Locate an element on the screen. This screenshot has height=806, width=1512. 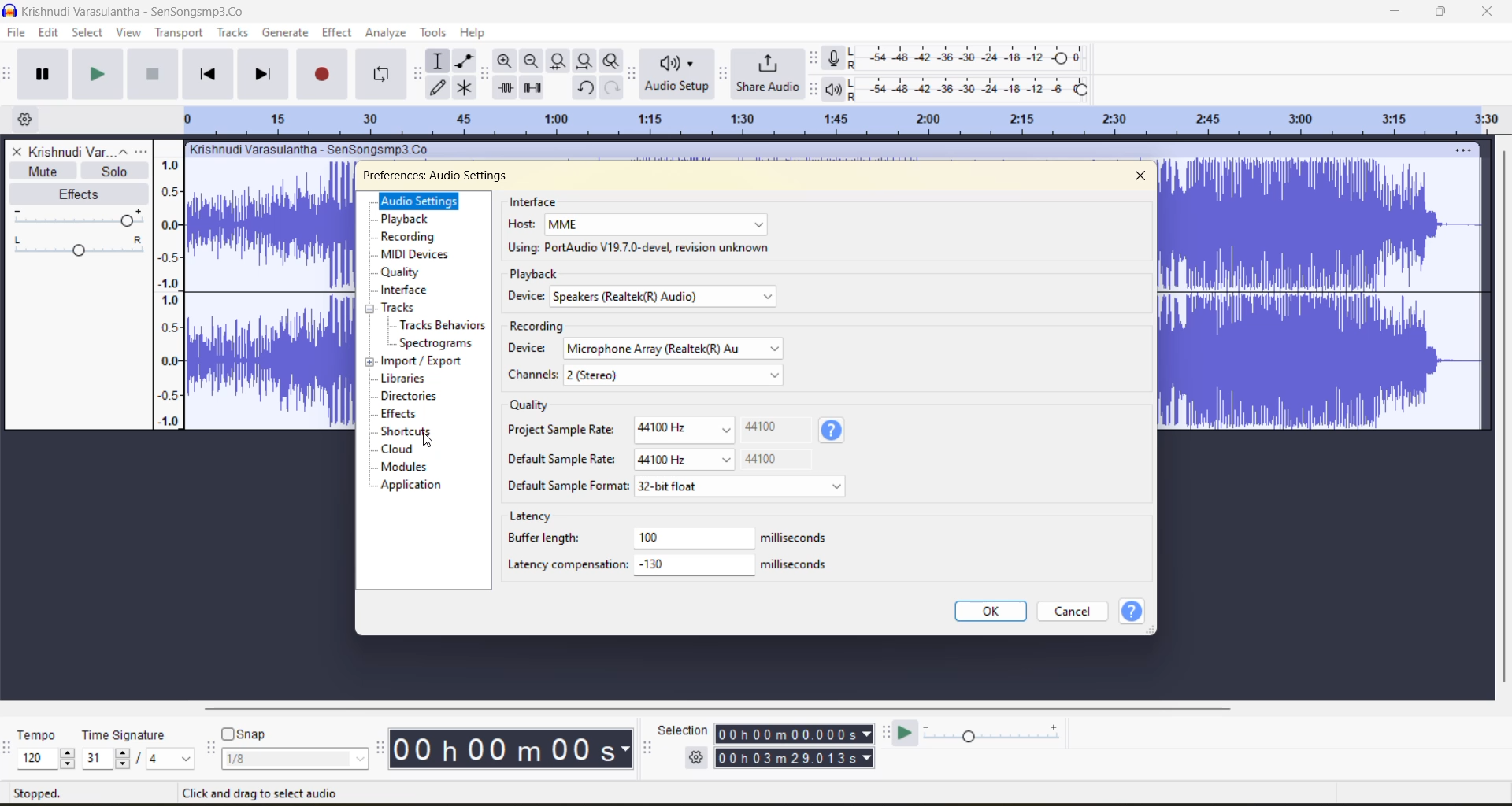
time signature is located at coordinates (139, 749).